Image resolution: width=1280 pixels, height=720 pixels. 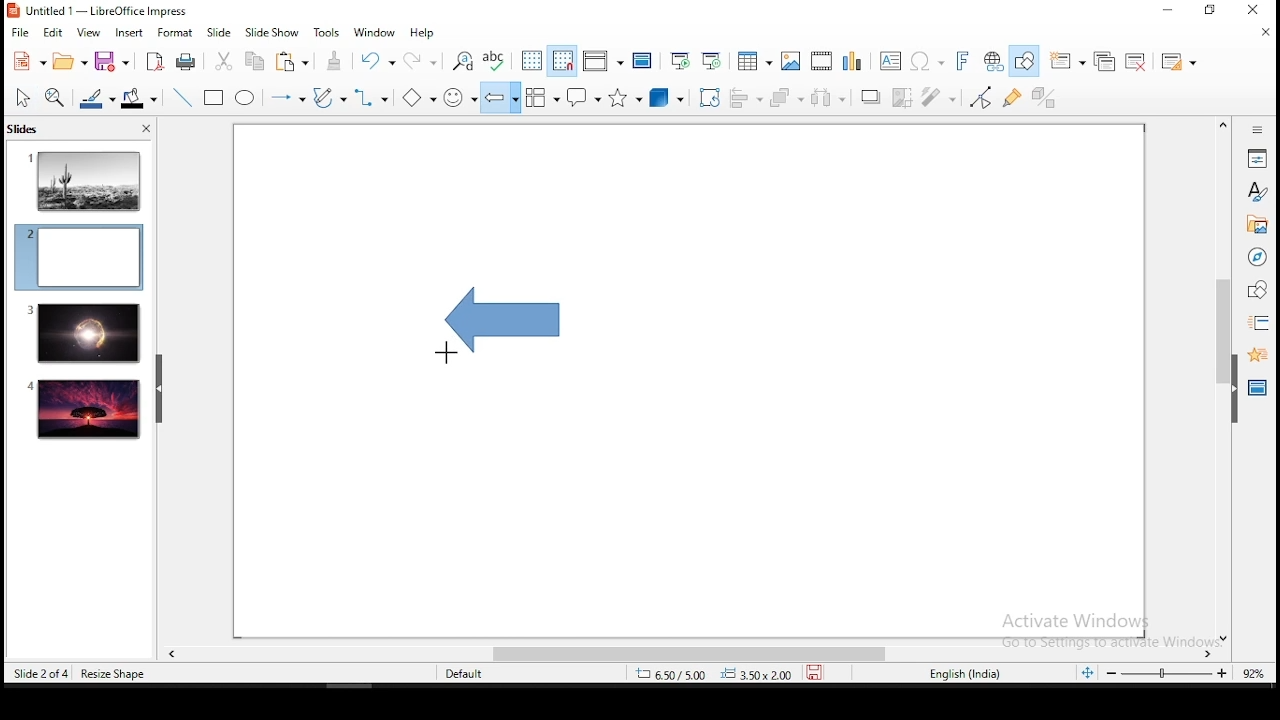 What do you see at coordinates (448, 355) in the screenshot?
I see `mouse pointer` at bounding box center [448, 355].